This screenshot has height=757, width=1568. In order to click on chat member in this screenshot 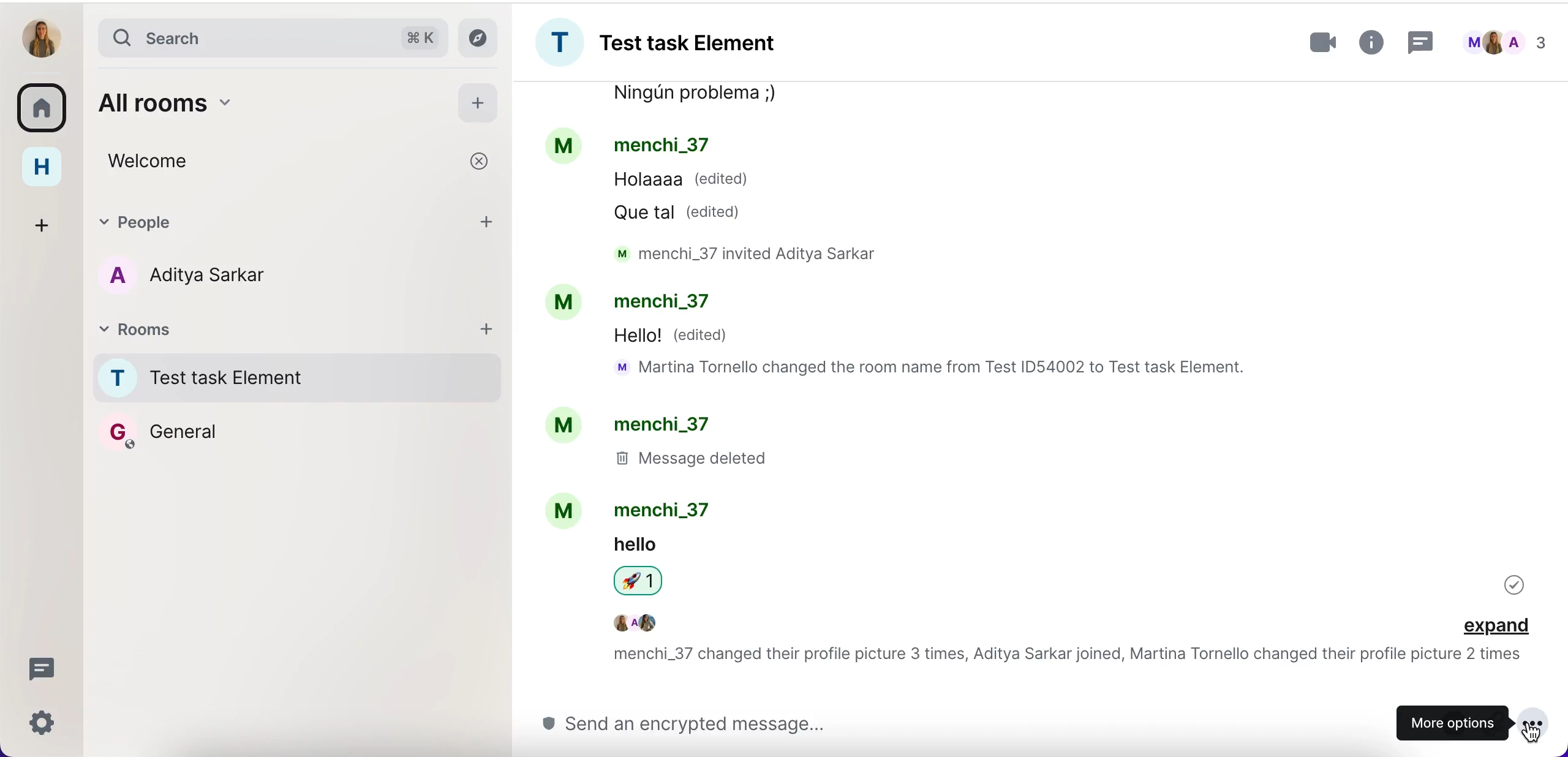, I will do `click(279, 276)`.